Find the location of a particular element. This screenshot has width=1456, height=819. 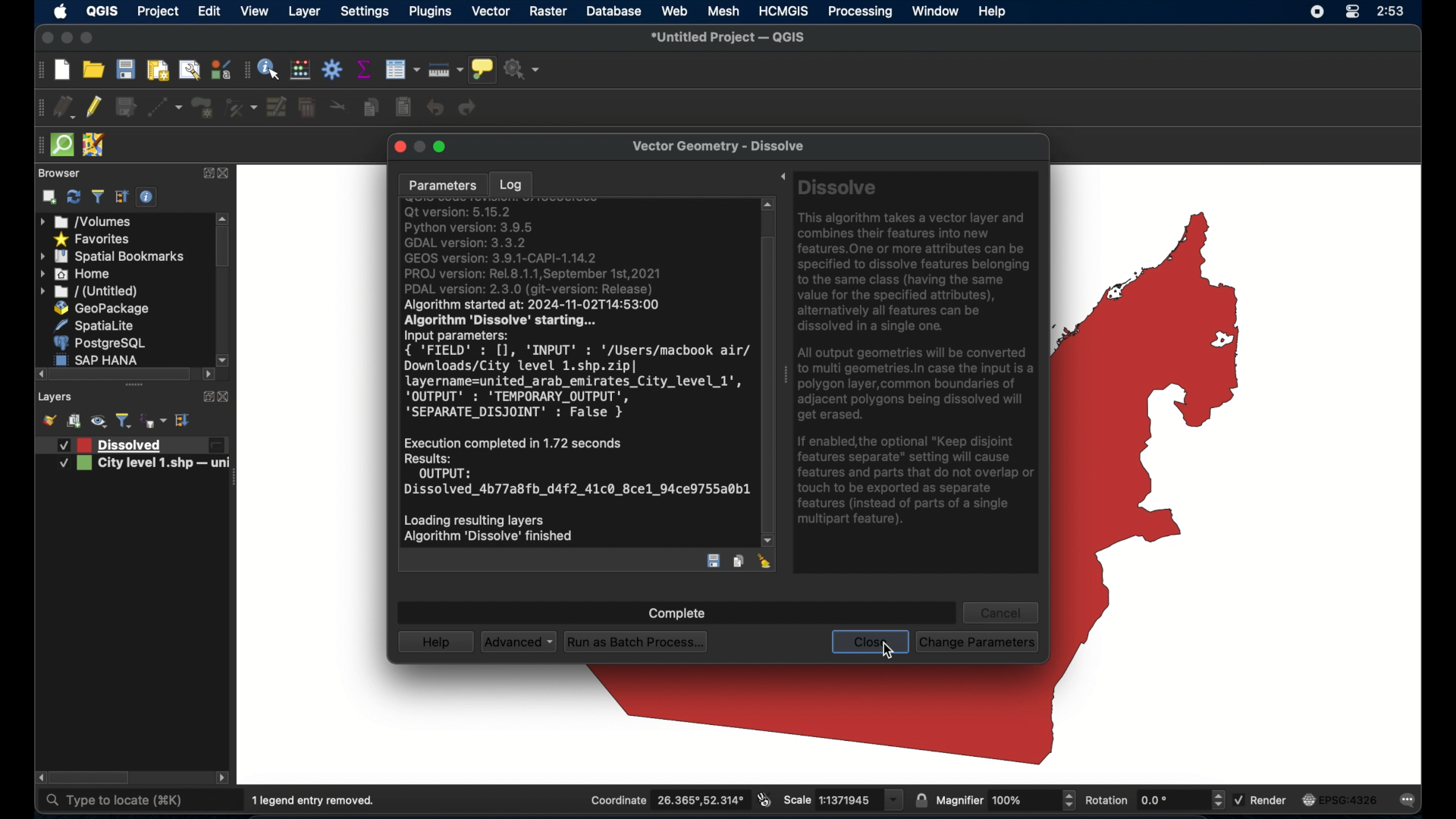

identify feature is located at coordinates (270, 70).